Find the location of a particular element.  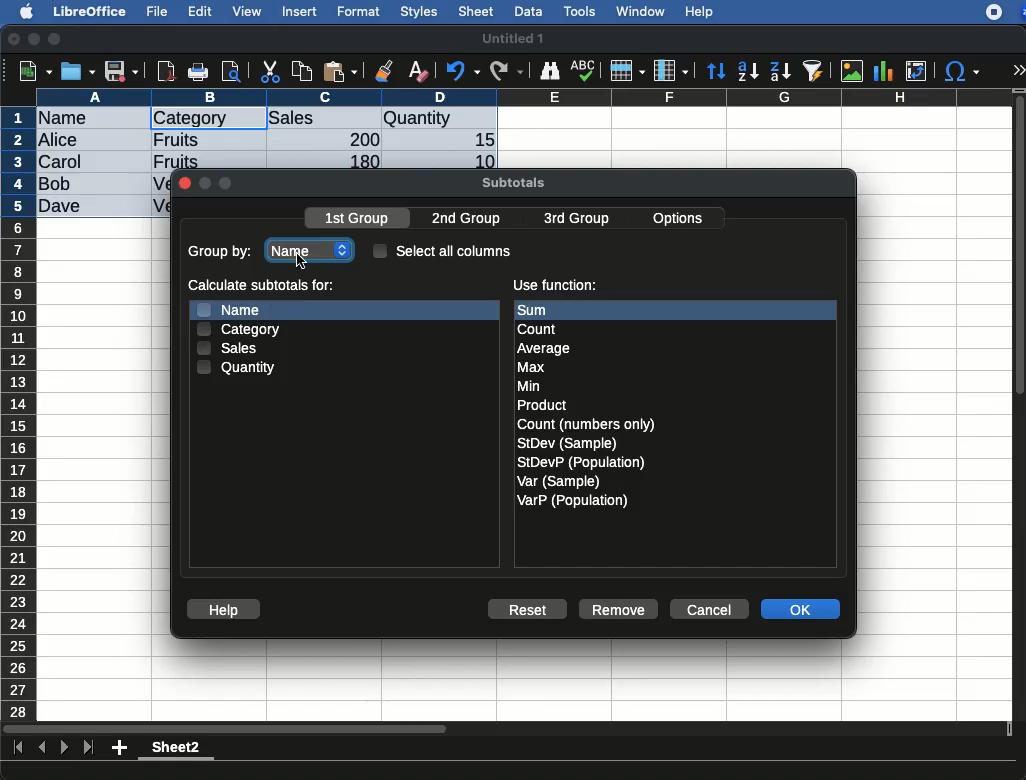

column is located at coordinates (671, 72).